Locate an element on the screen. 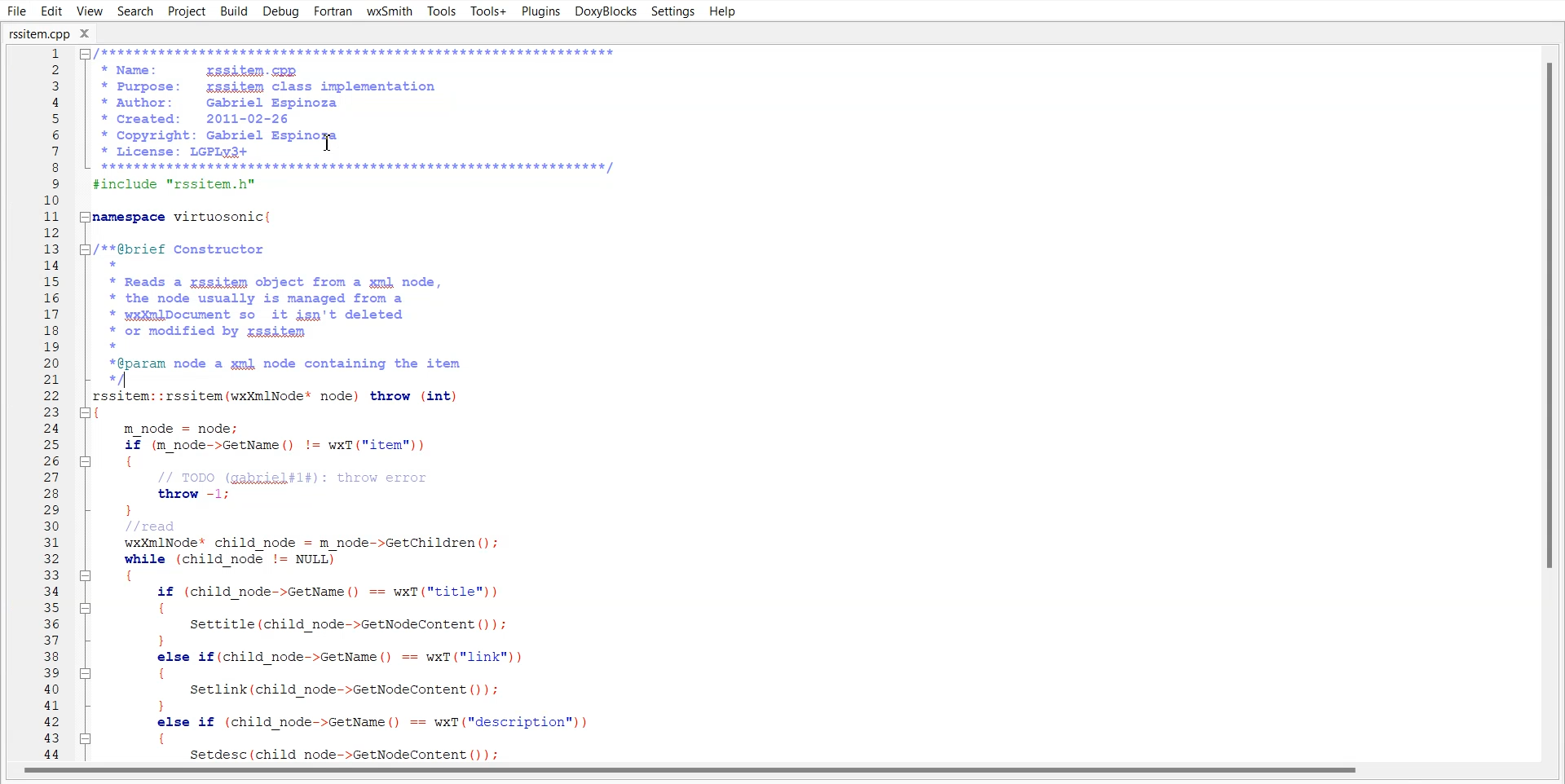 This screenshot has width=1565, height=784. wxSmith is located at coordinates (389, 11).